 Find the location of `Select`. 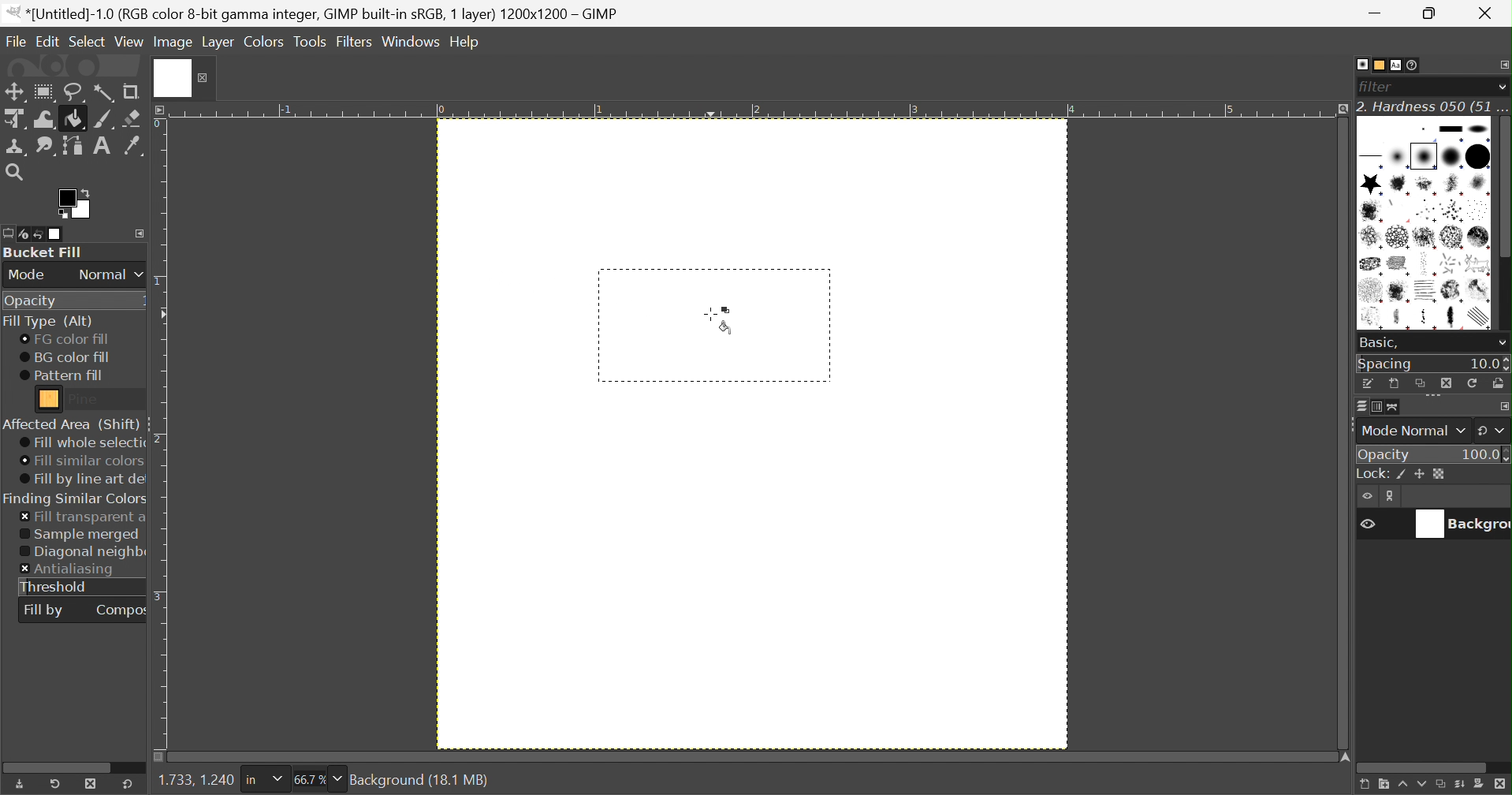

Select is located at coordinates (88, 39).